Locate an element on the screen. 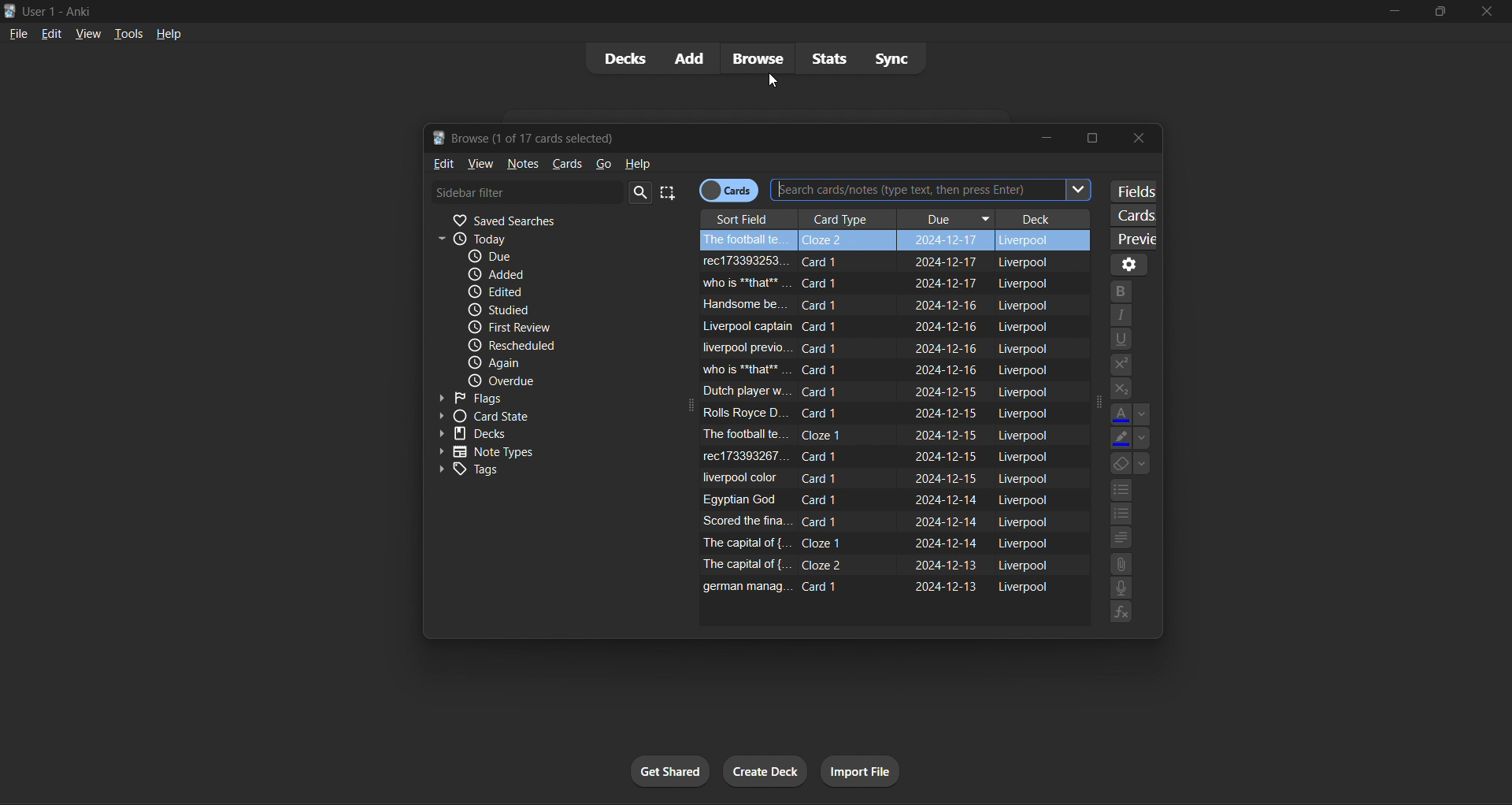 Image resolution: width=1512 pixels, height=805 pixels. attach is located at coordinates (1123, 565).